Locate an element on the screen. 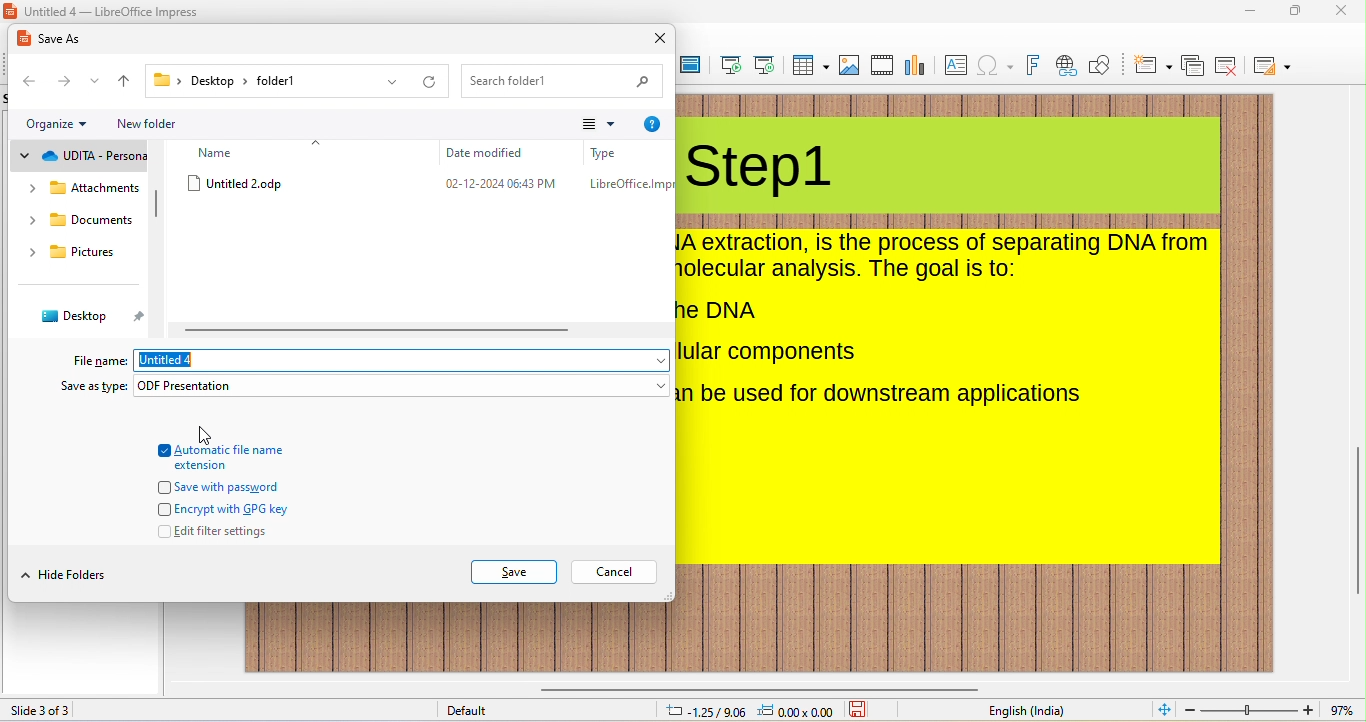 The image size is (1366, 722). automatic file name extension is located at coordinates (236, 458).